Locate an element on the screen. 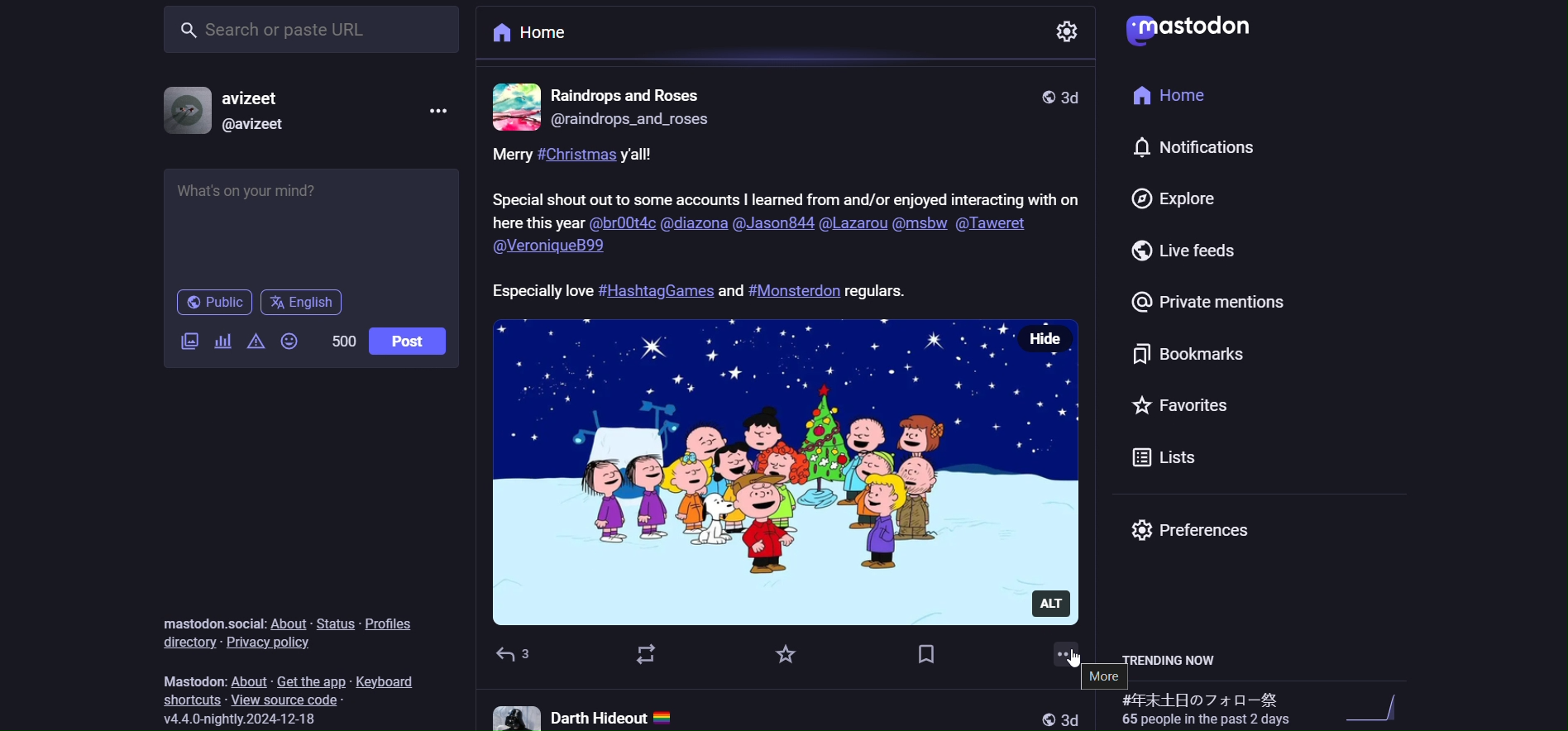  setting is located at coordinates (1068, 34).